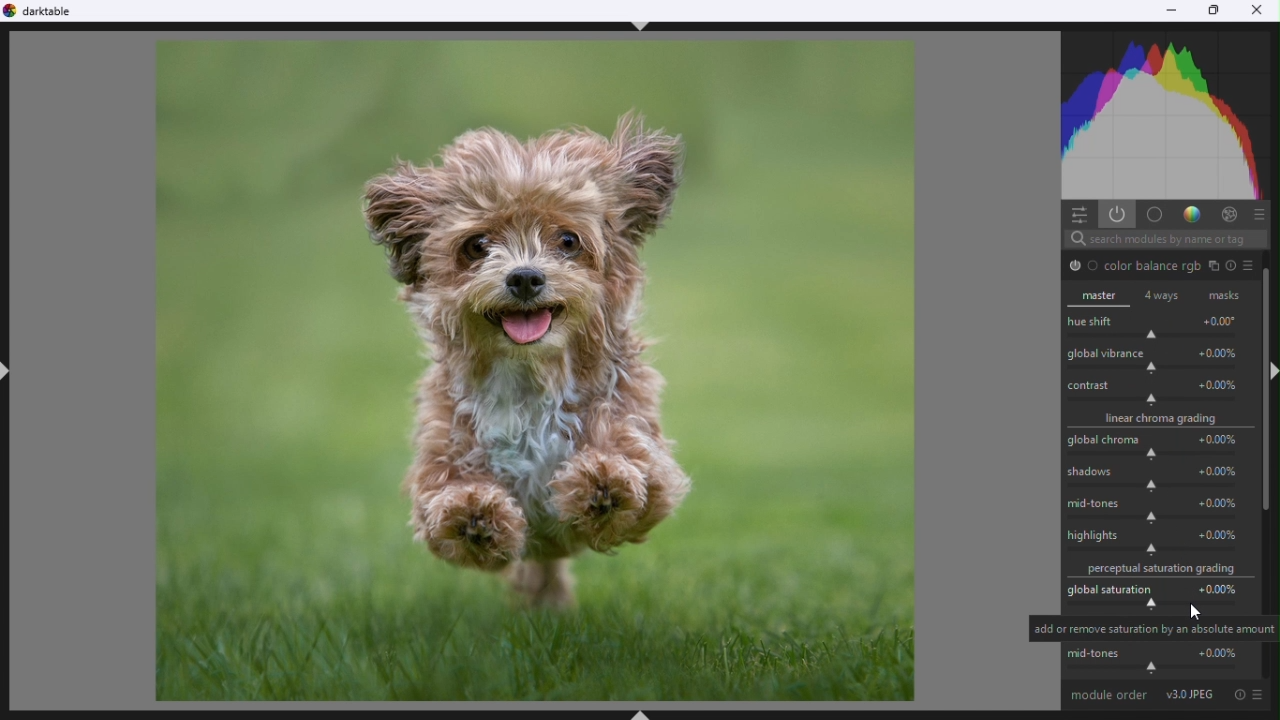  I want to click on Mouse pointer, so click(1199, 610).